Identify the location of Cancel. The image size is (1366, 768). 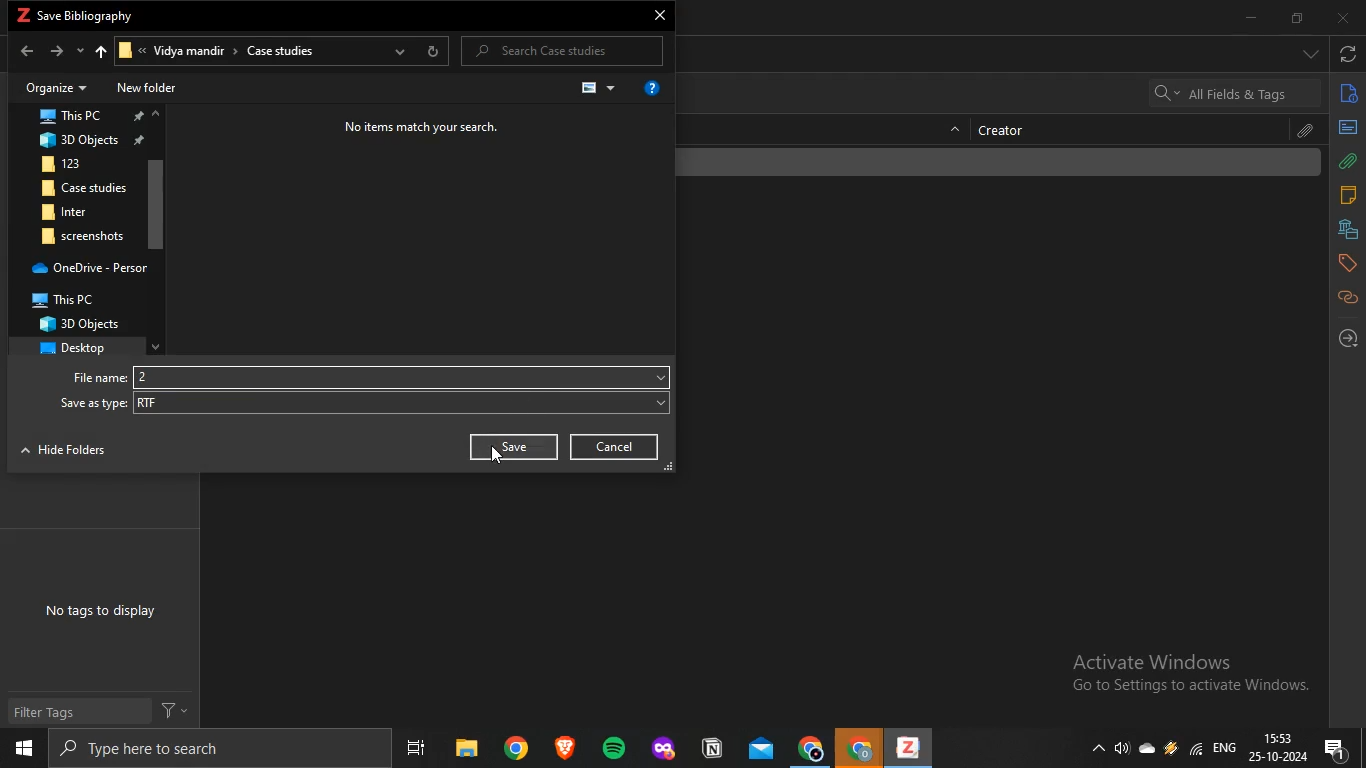
(615, 447).